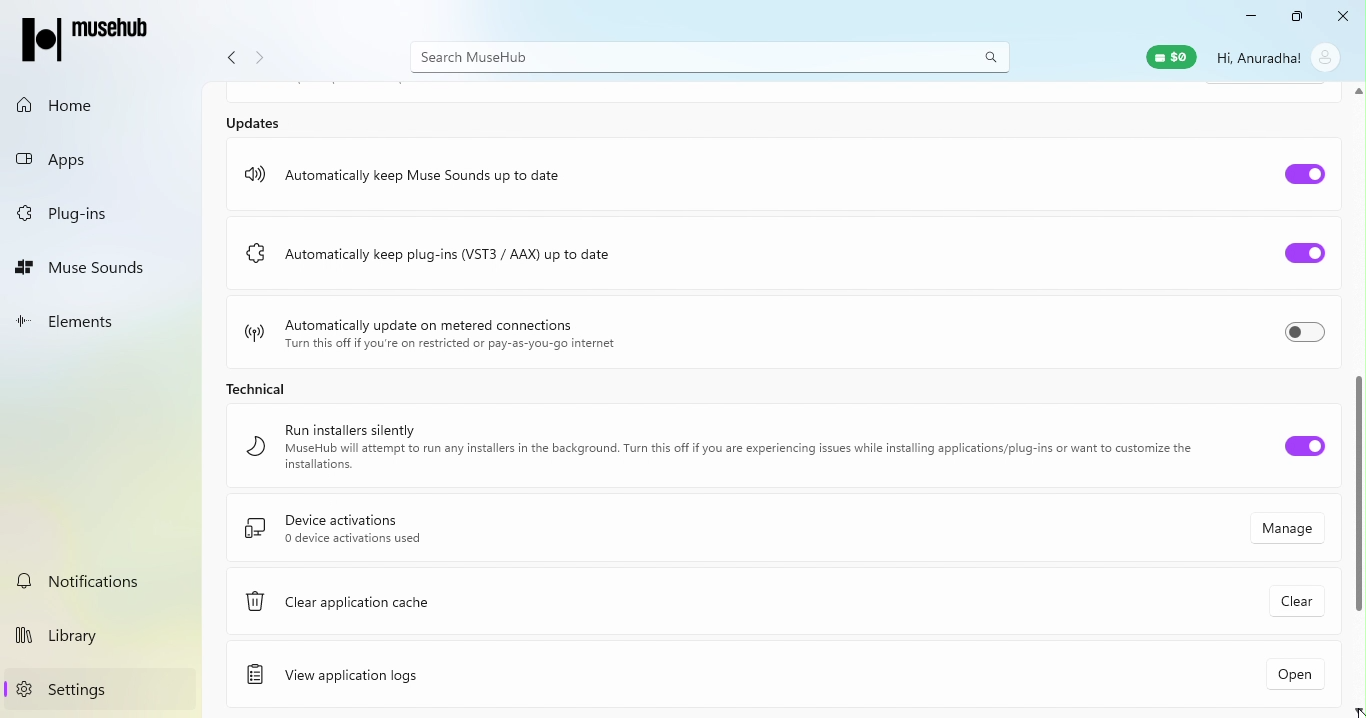  Describe the element at coordinates (1289, 673) in the screenshot. I see `Open` at that location.